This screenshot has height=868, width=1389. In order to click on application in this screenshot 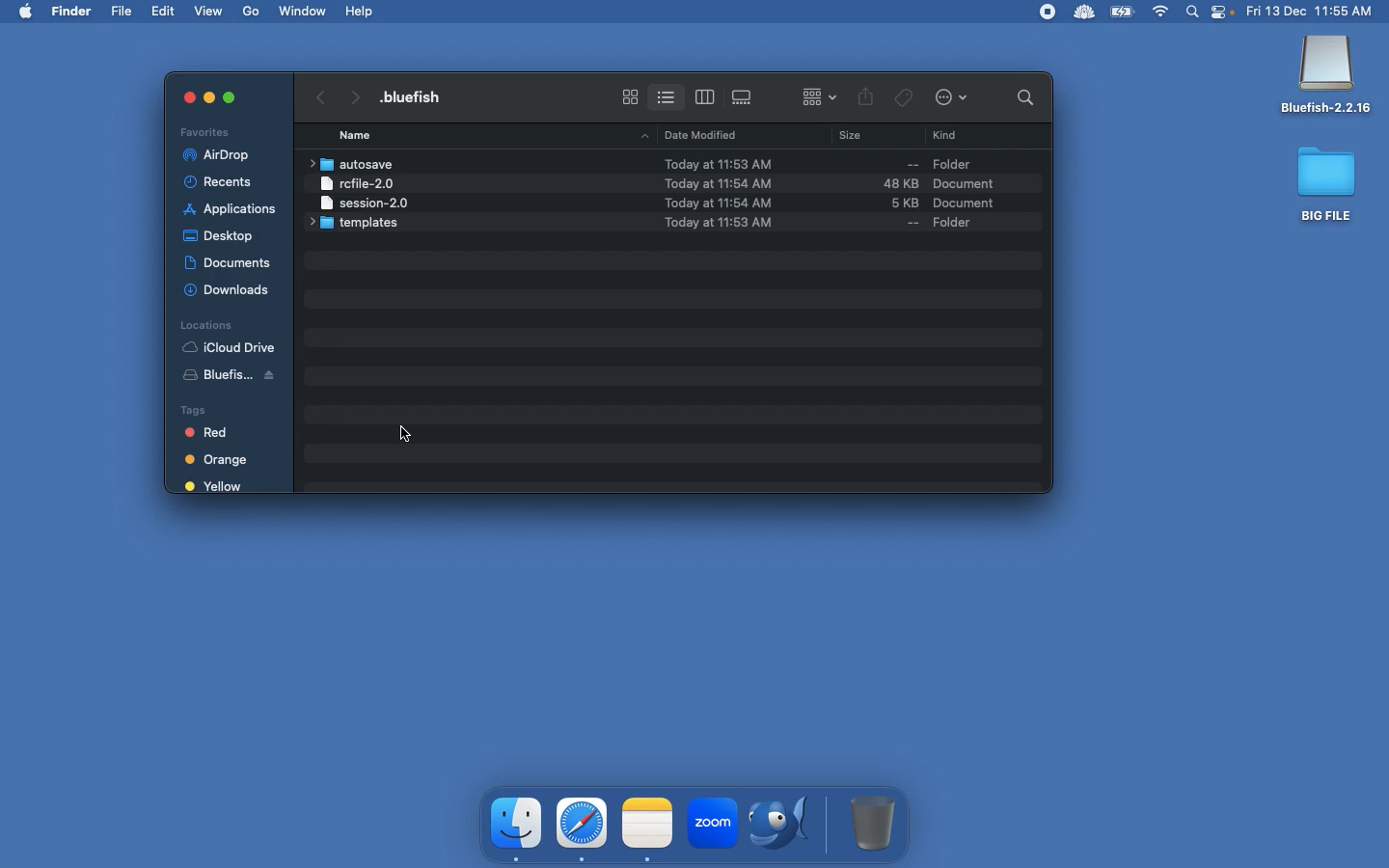, I will do `click(231, 209)`.